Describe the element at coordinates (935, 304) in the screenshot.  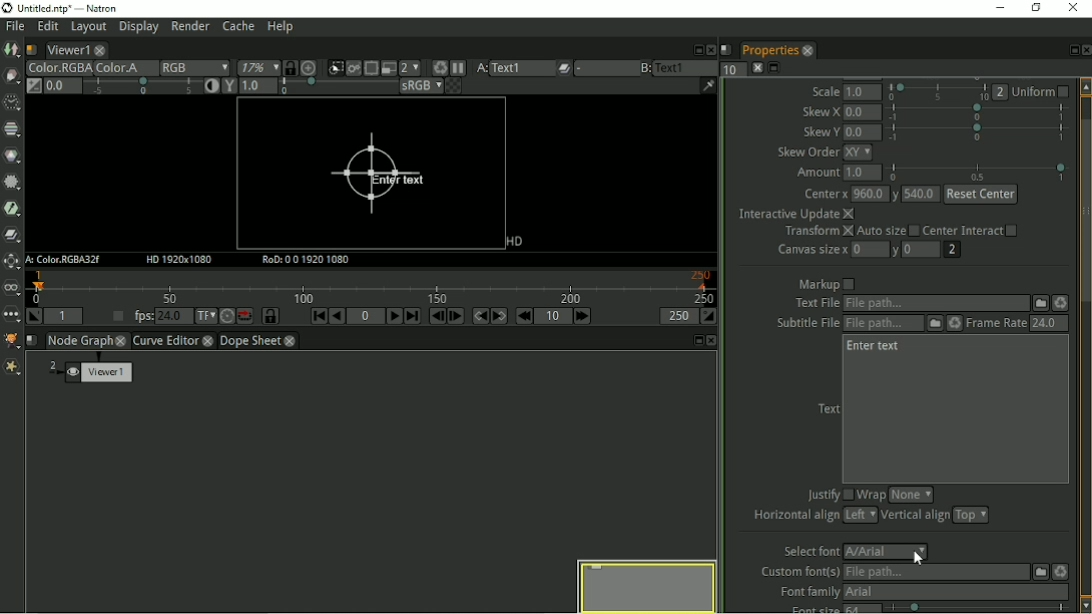
I see `Text File` at that location.